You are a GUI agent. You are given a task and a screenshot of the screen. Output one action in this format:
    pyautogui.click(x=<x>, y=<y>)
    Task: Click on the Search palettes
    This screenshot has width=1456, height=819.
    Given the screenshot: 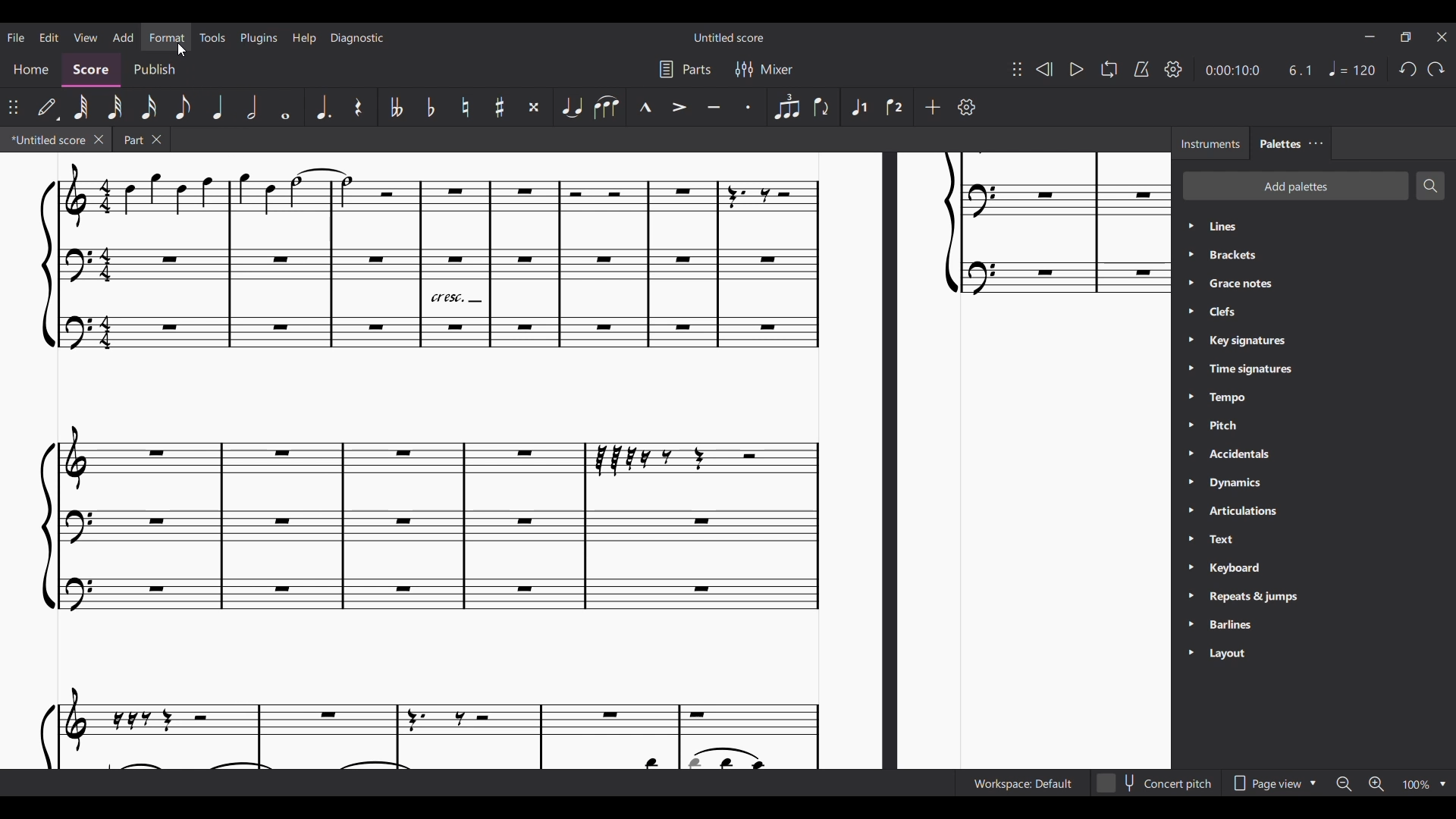 What is the action you would take?
    pyautogui.click(x=1430, y=186)
    